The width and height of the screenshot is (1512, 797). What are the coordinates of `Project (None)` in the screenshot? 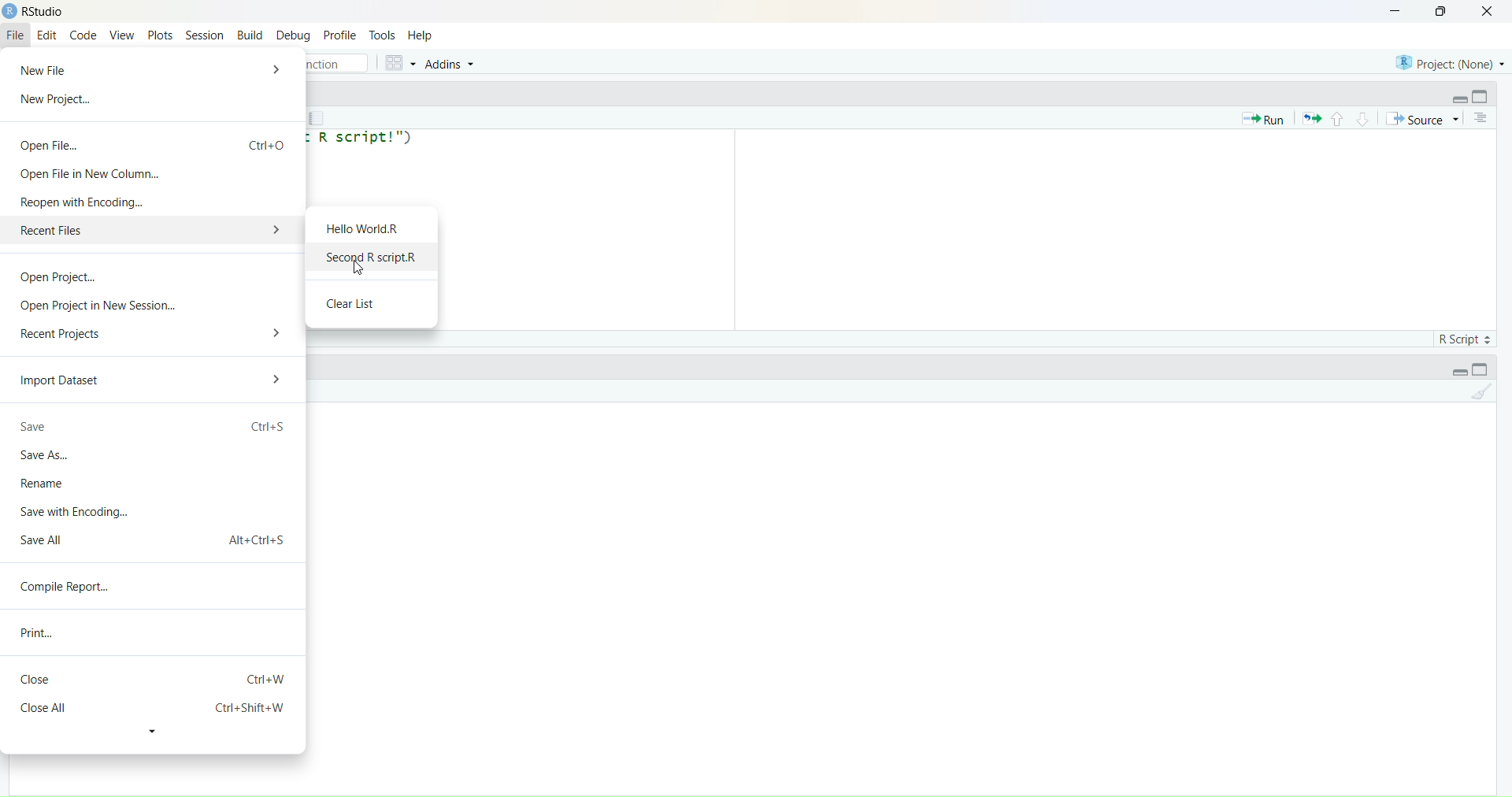 It's located at (1447, 61).